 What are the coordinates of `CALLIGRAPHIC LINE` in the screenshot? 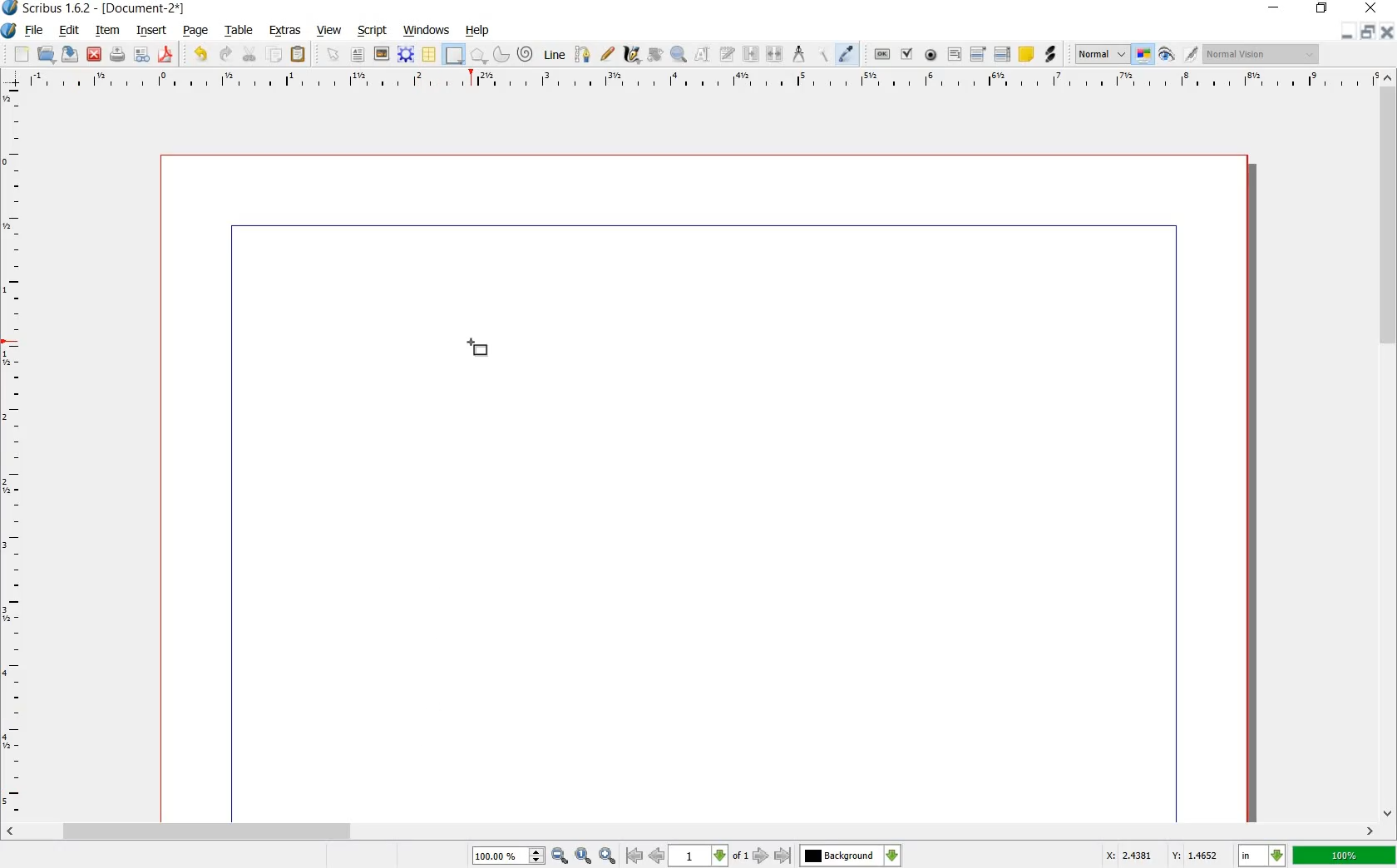 It's located at (630, 54).